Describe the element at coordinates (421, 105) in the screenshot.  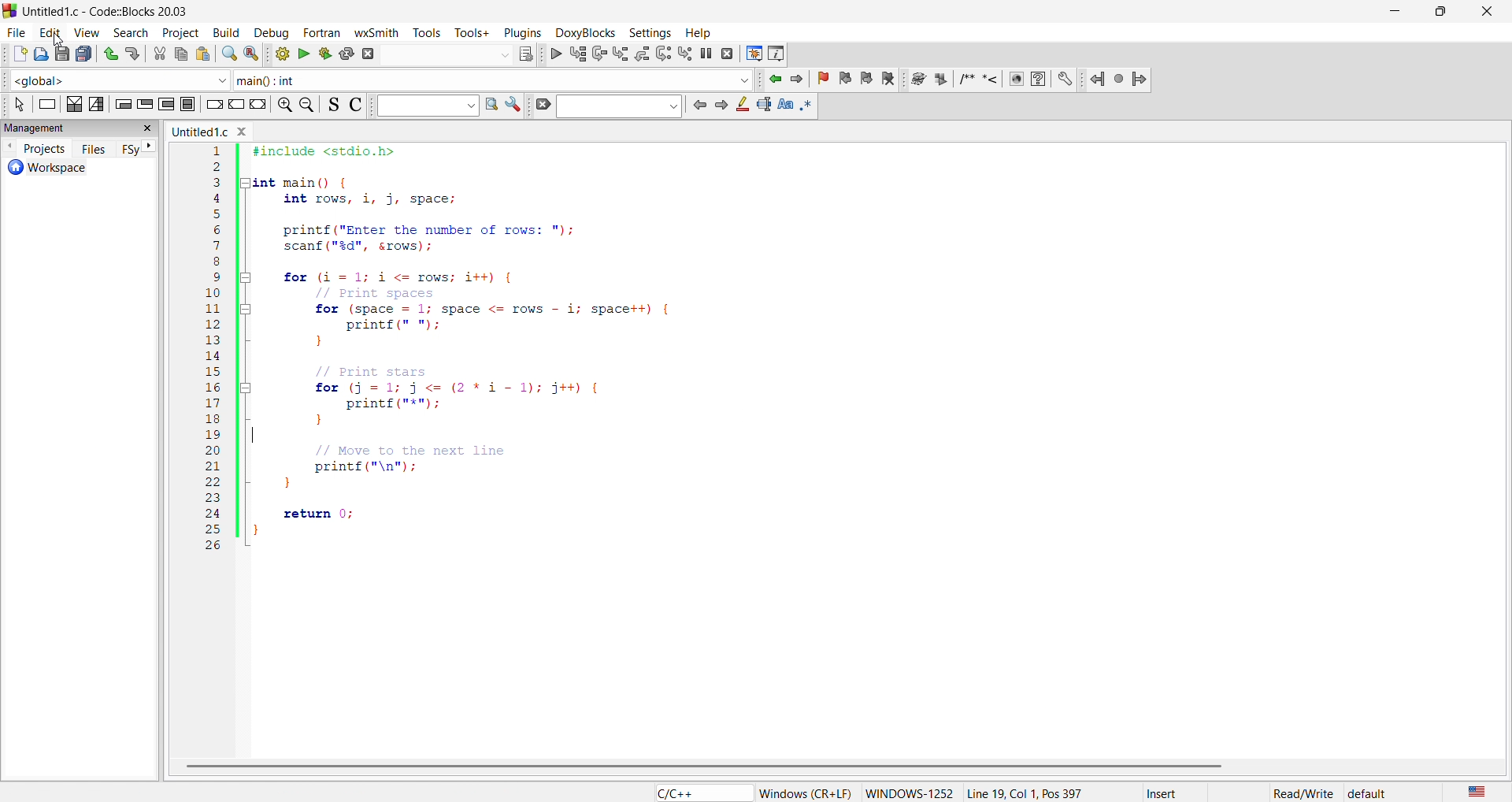
I see `search box` at that location.